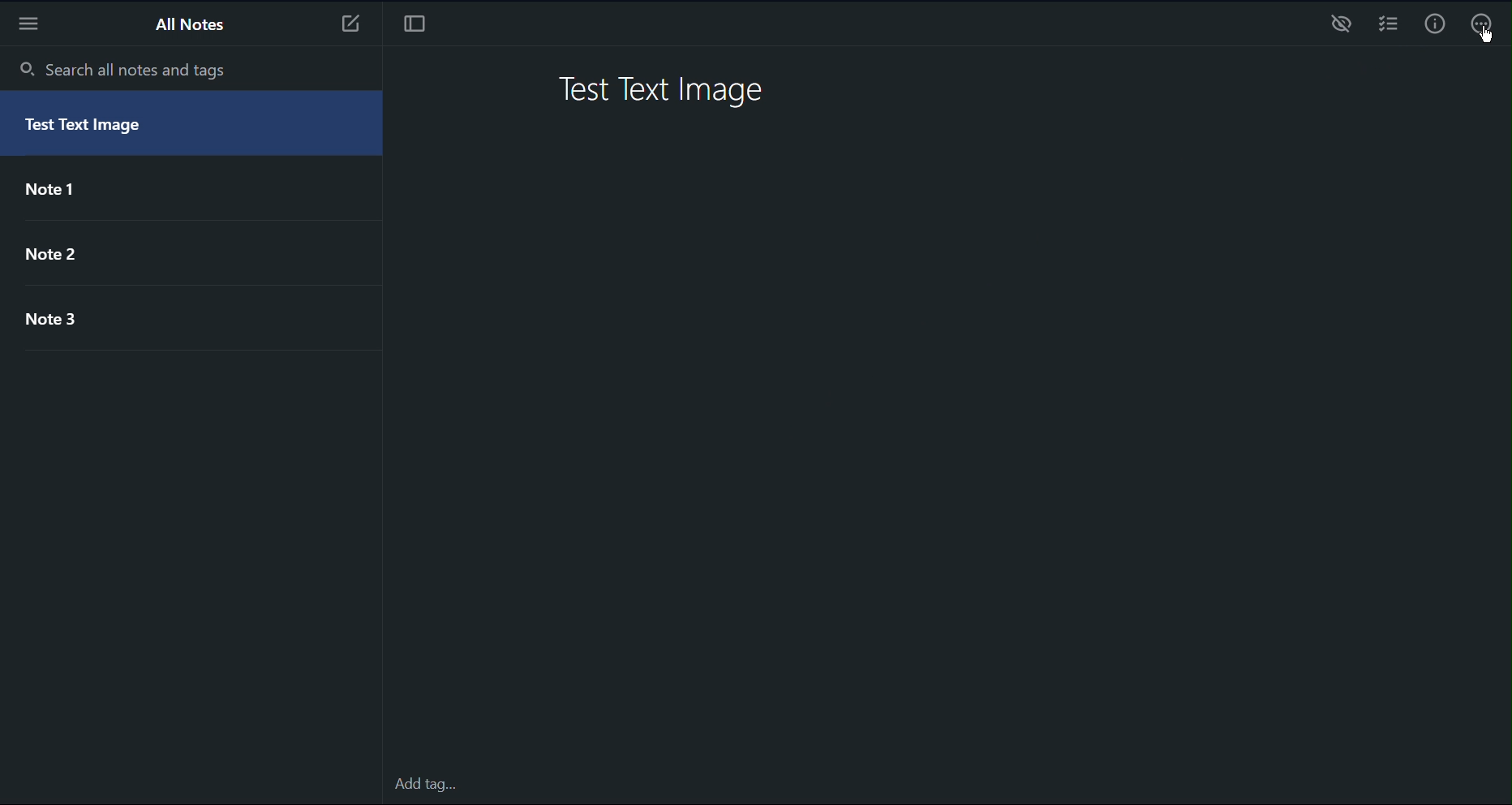 This screenshot has height=805, width=1512. What do you see at coordinates (1432, 26) in the screenshot?
I see `Info` at bounding box center [1432, 26].